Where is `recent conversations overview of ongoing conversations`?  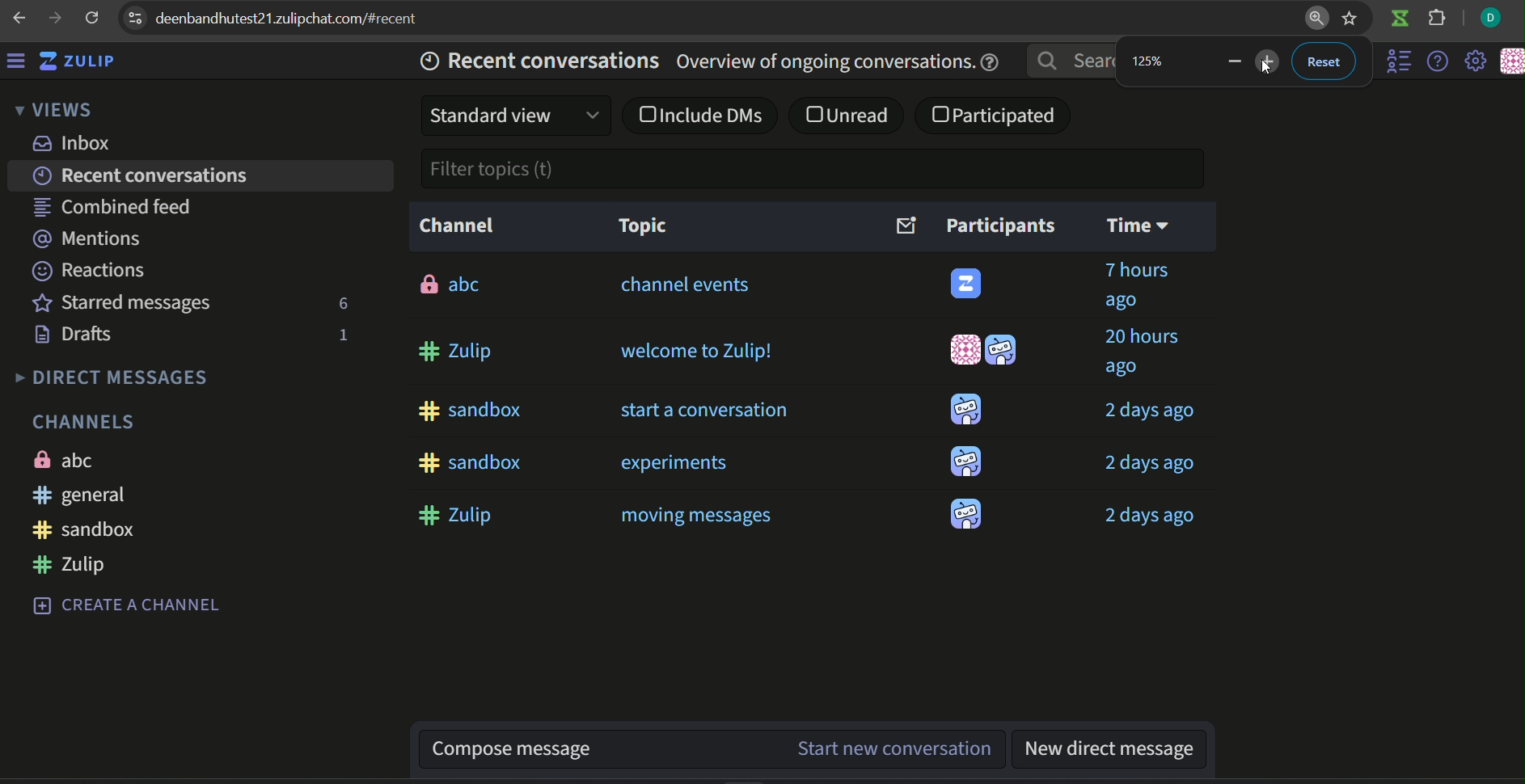 recent conversations overview of ongoing conversations is located at coordinates (703, 61).